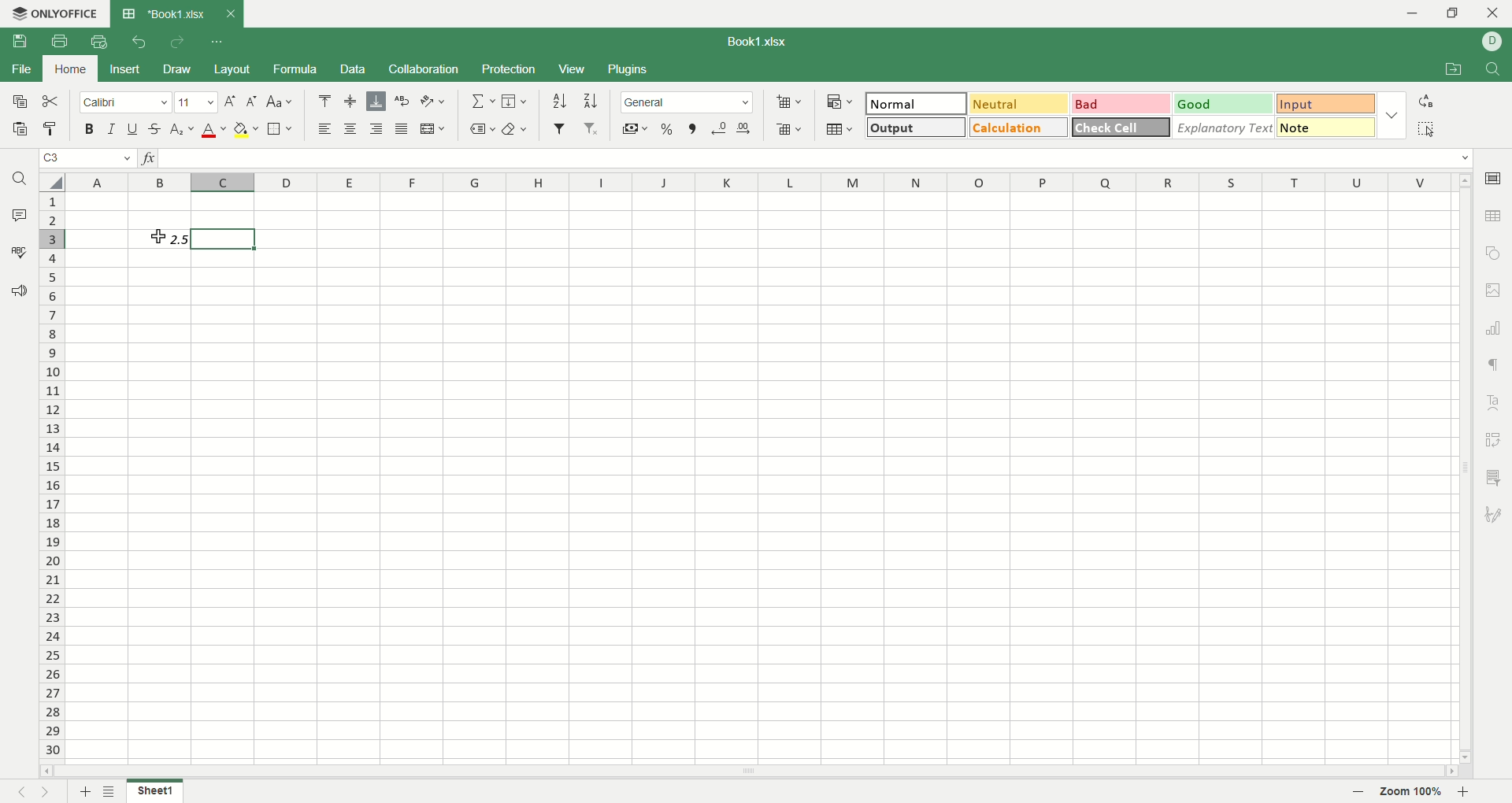 This screenshot has width=1512, height=803. What do you see at coordinates (1425, 102) in the screenshot?
I see `replace` at bounding box center [1425, 102].